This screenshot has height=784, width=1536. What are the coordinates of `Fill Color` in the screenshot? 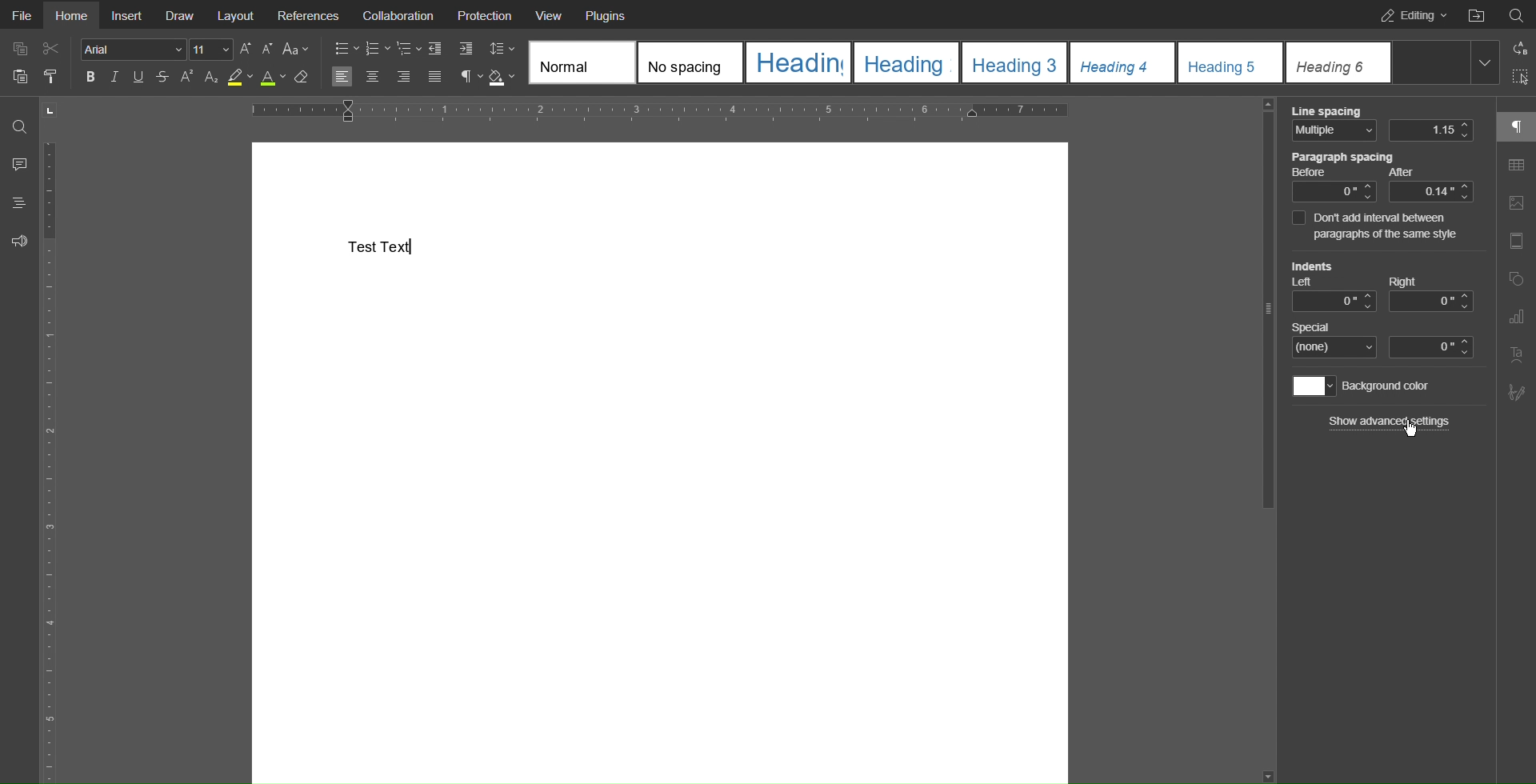 It's located at (502, 78).